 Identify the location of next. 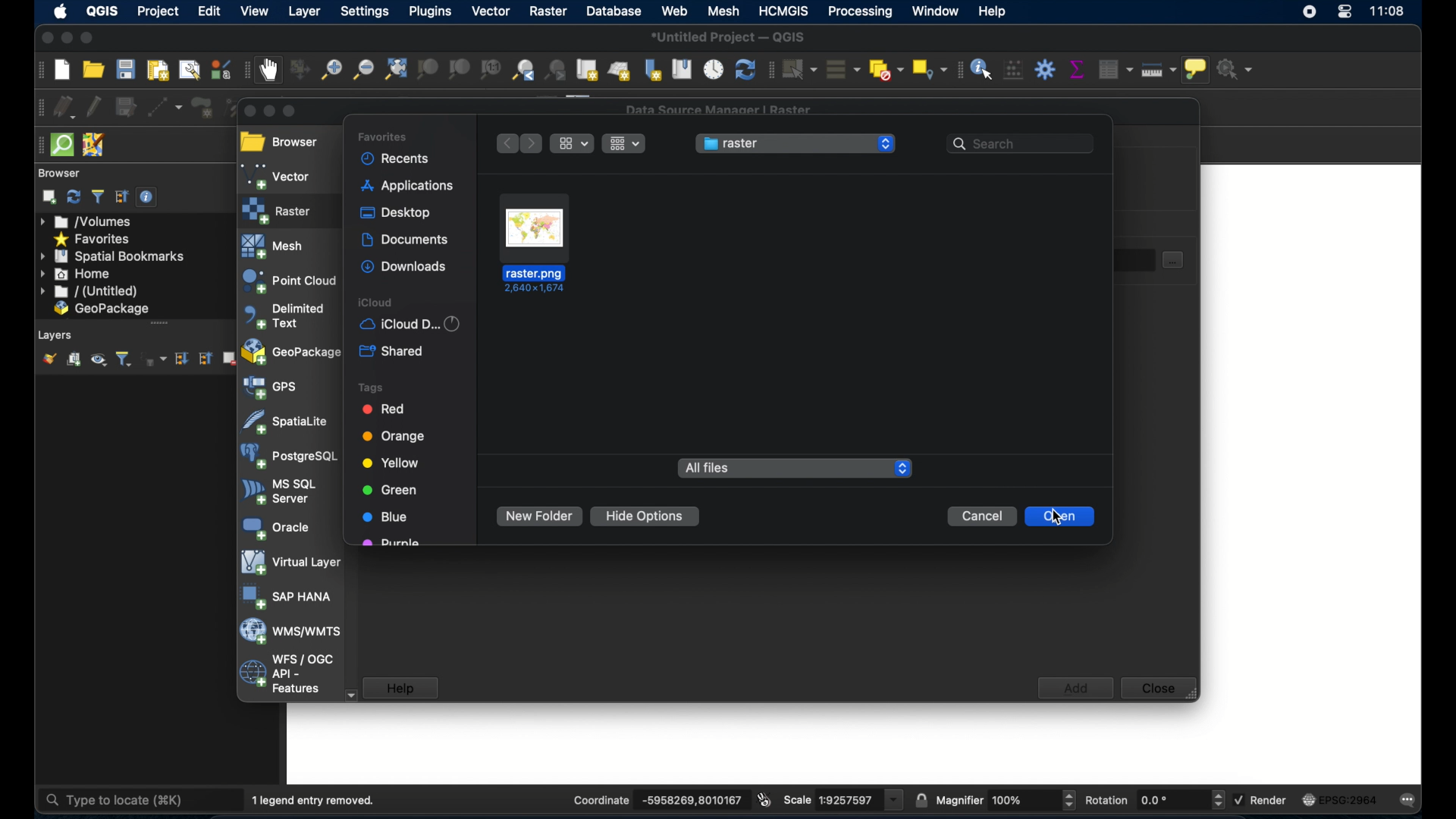
(534, 143).